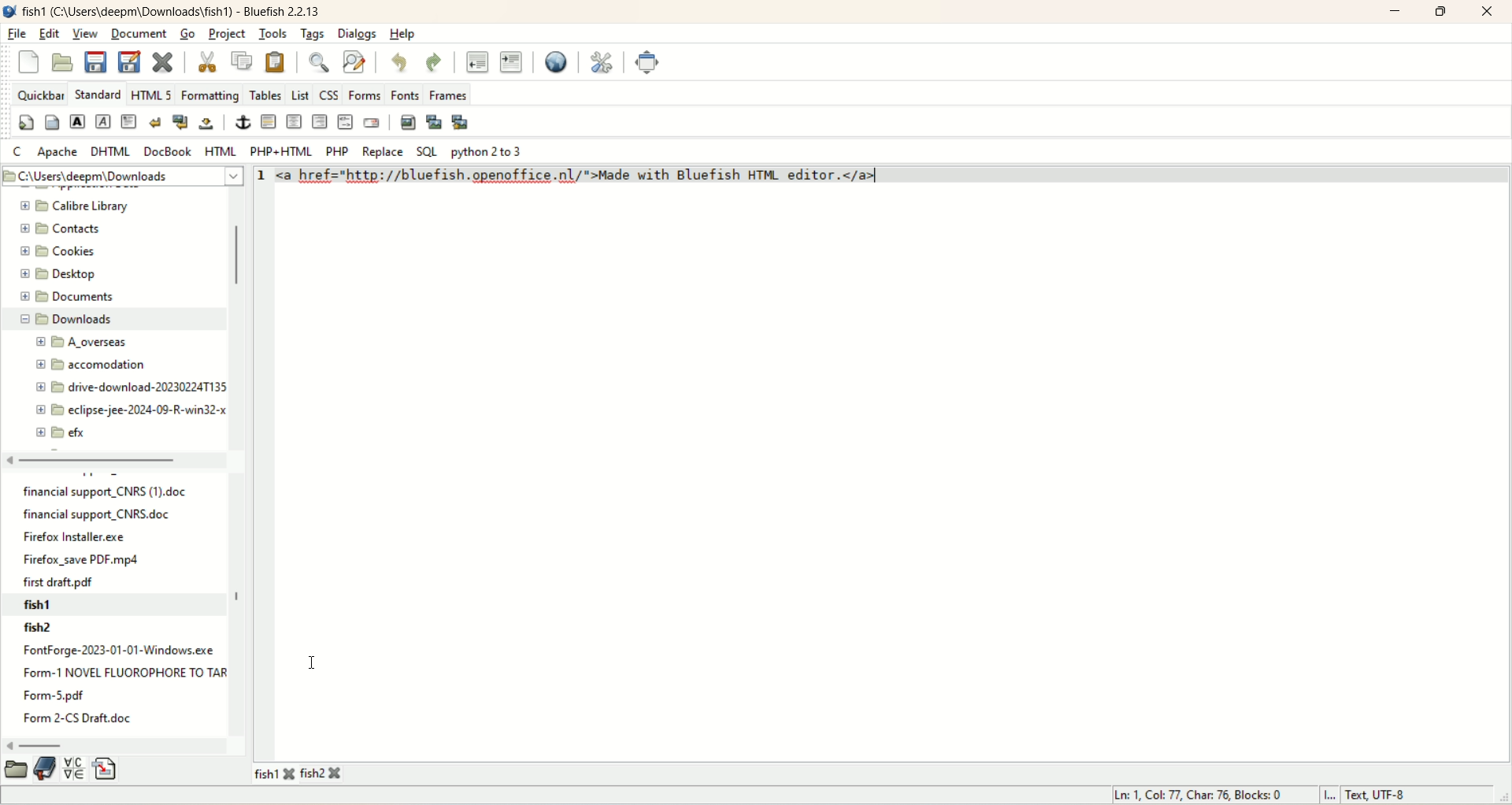 This screenshot has width=1512, height=805. Describe the element at coordinates (267, 122) in the screenshot. I see `horizontal rule` at that location.